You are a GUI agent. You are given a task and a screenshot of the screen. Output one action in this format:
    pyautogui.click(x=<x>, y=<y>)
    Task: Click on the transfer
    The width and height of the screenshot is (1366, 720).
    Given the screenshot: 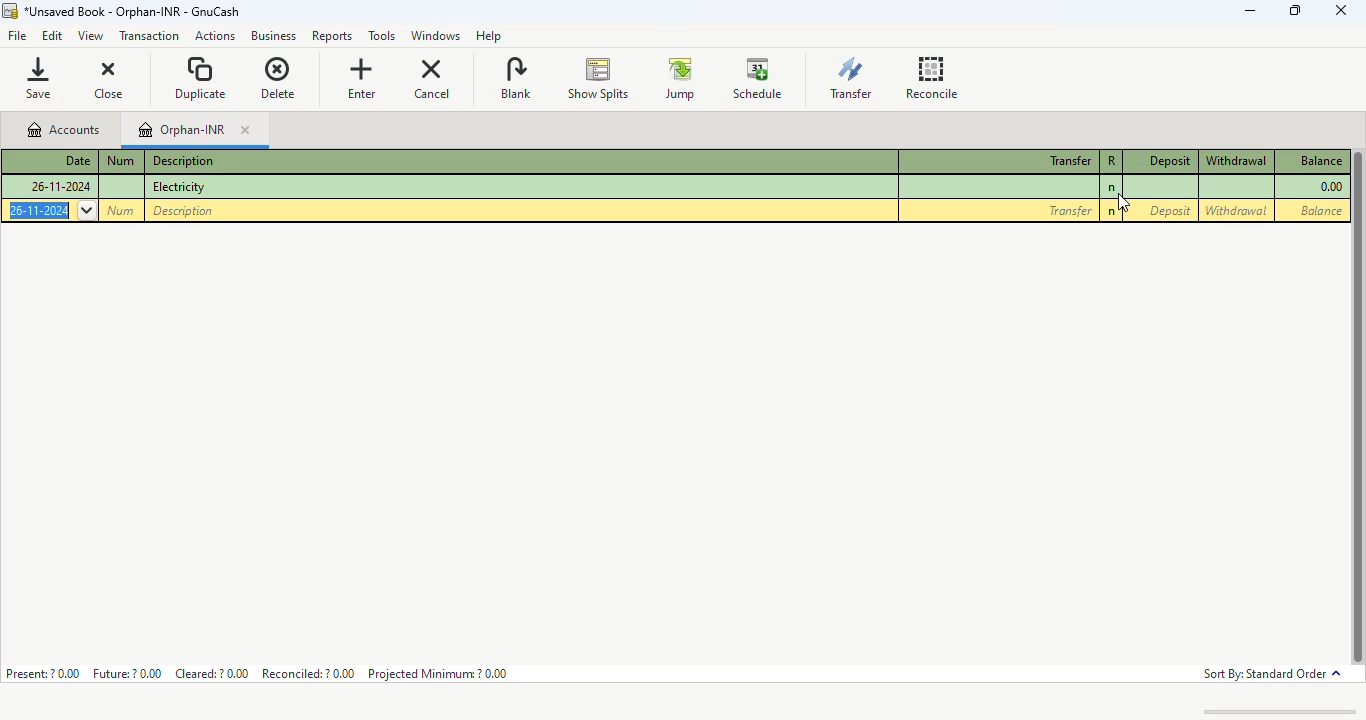 What is the action you would take?
    pyautogui.click(x=1068, y=211)
    